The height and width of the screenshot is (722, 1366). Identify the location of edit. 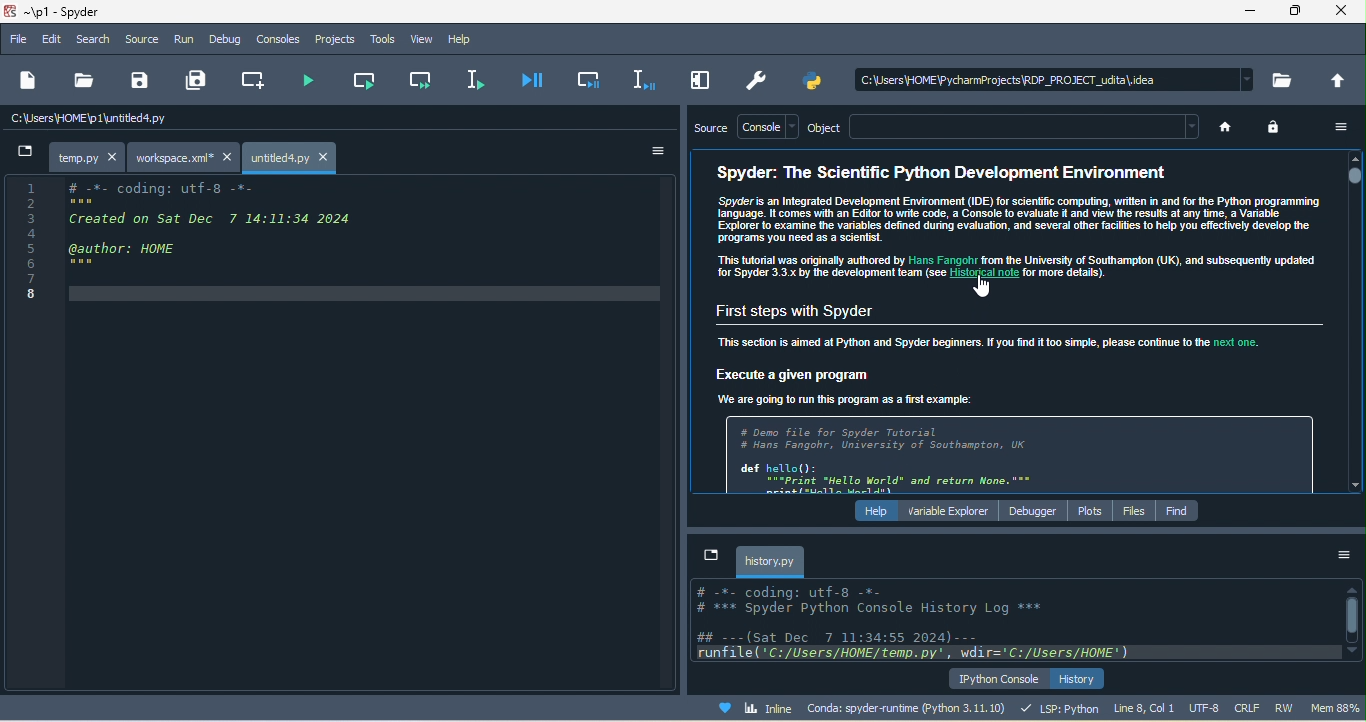
(58, 40).